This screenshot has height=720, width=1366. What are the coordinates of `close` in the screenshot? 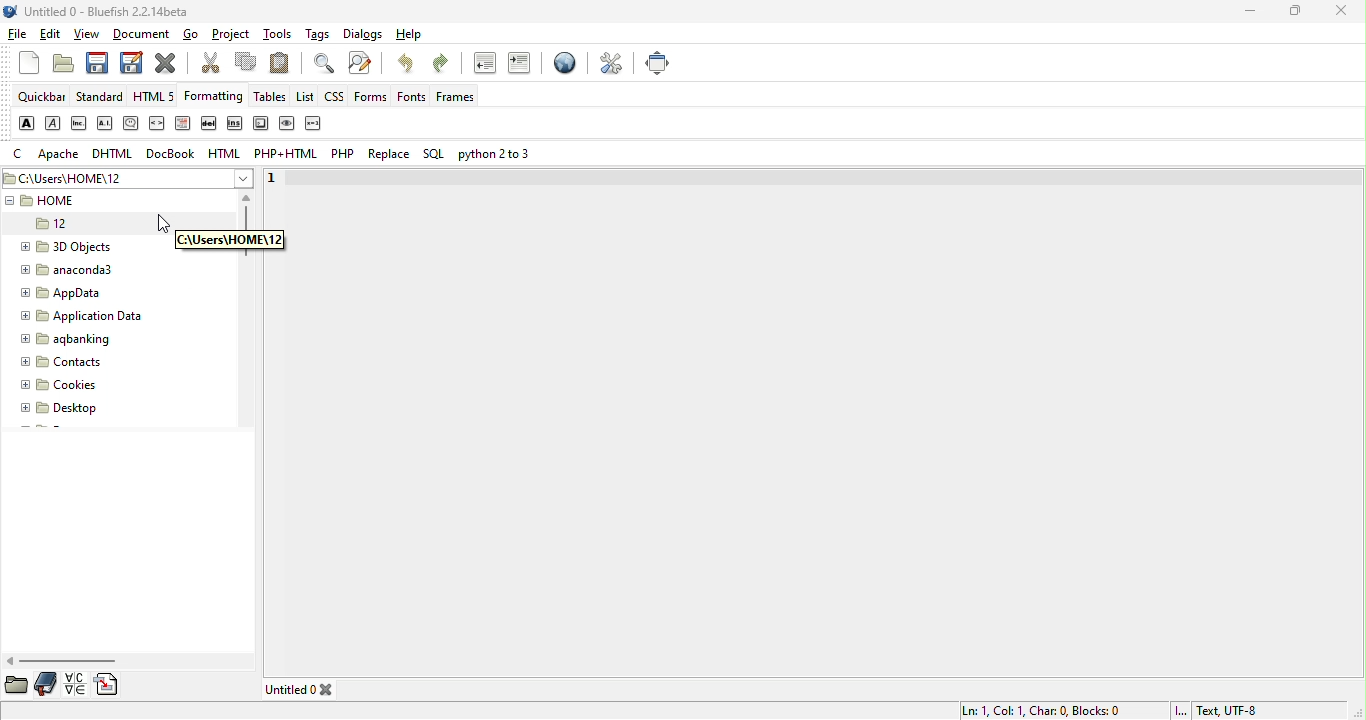 It's located at (1346, 12).